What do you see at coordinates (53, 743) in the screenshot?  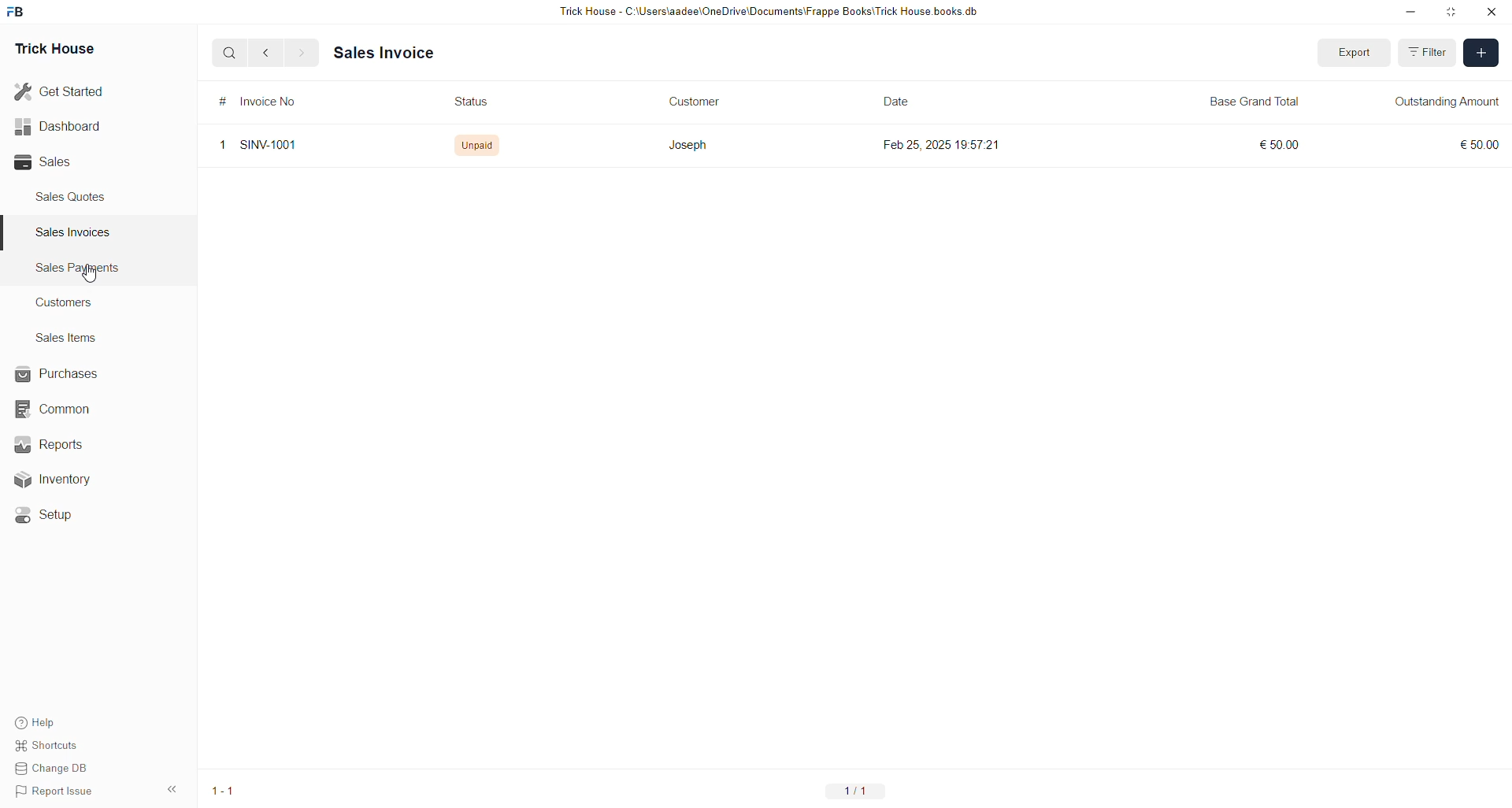 I see `Shortcuts` at bounding box center [53, 743].